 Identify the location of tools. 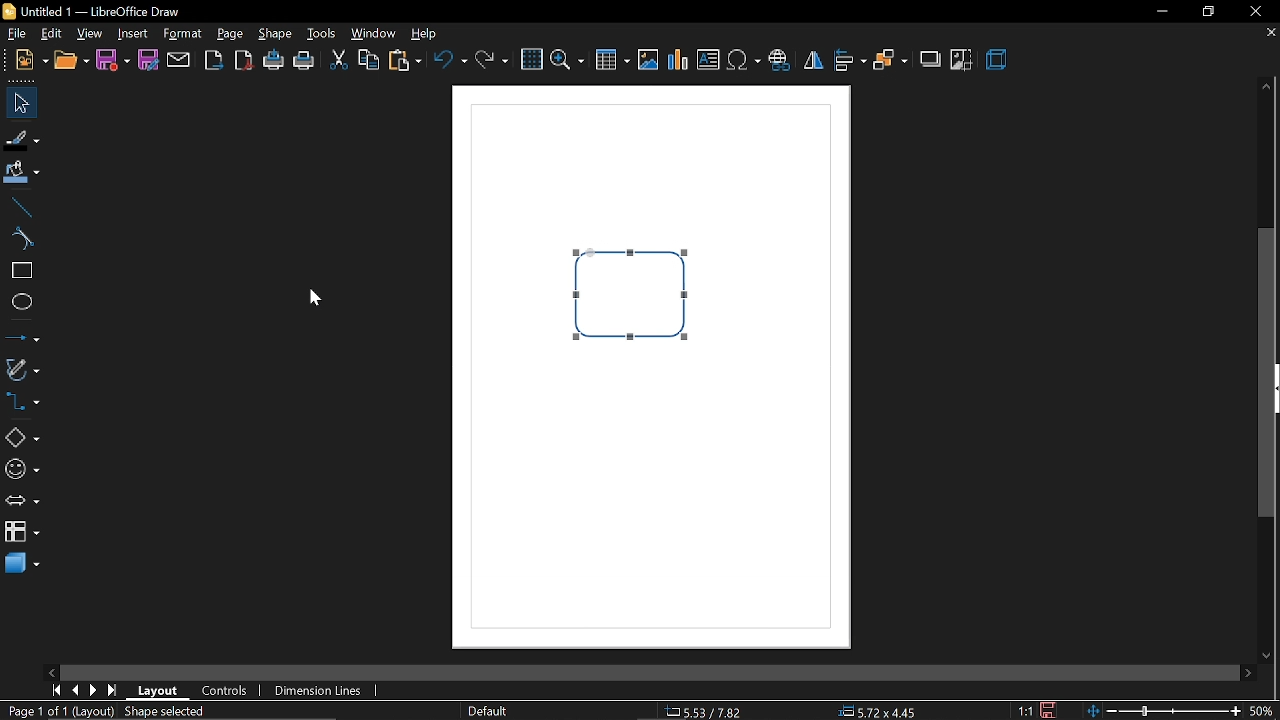
(324, 34).